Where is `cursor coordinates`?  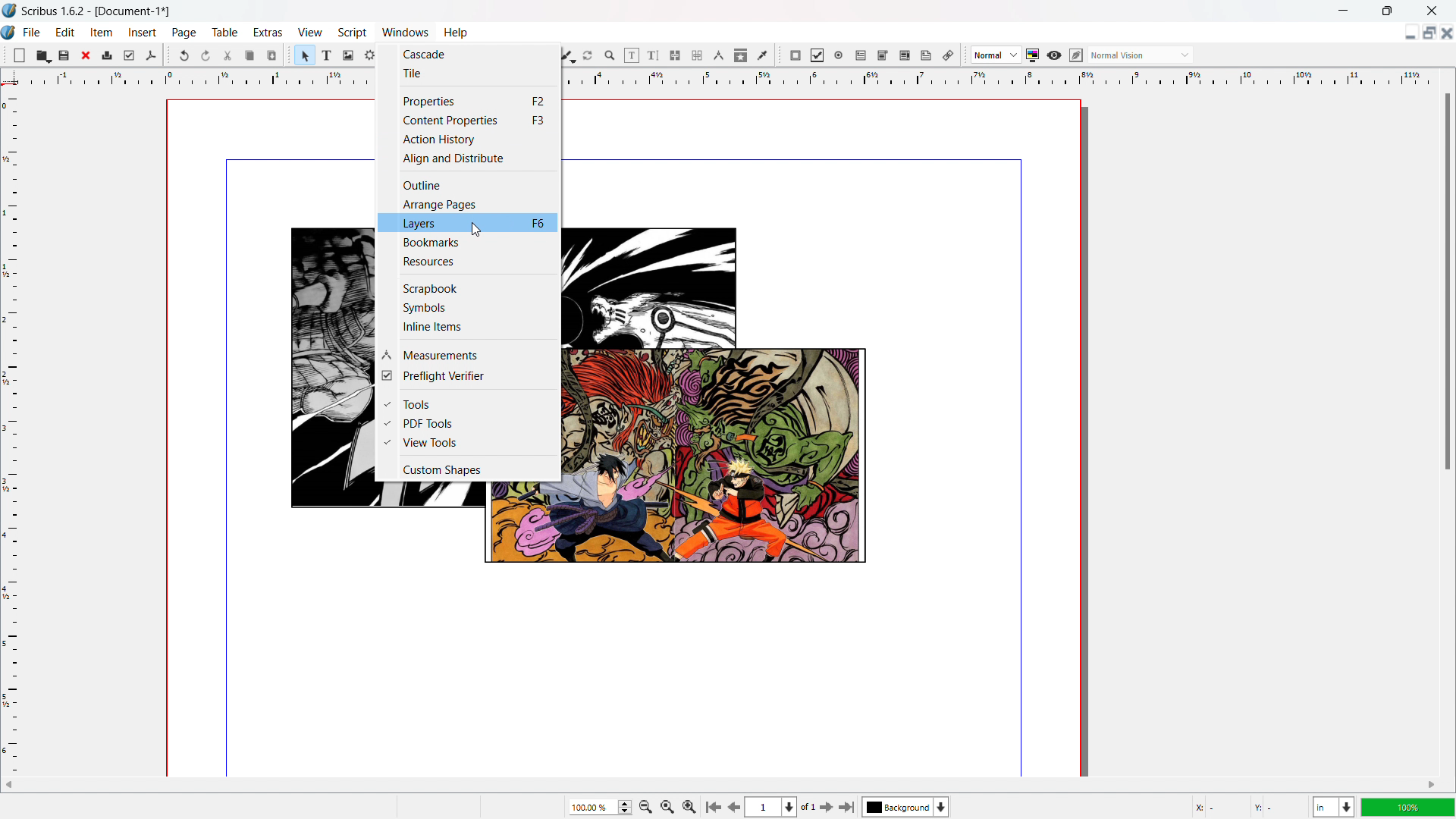 cursor coordinates is located at coordinates (1247, 805).